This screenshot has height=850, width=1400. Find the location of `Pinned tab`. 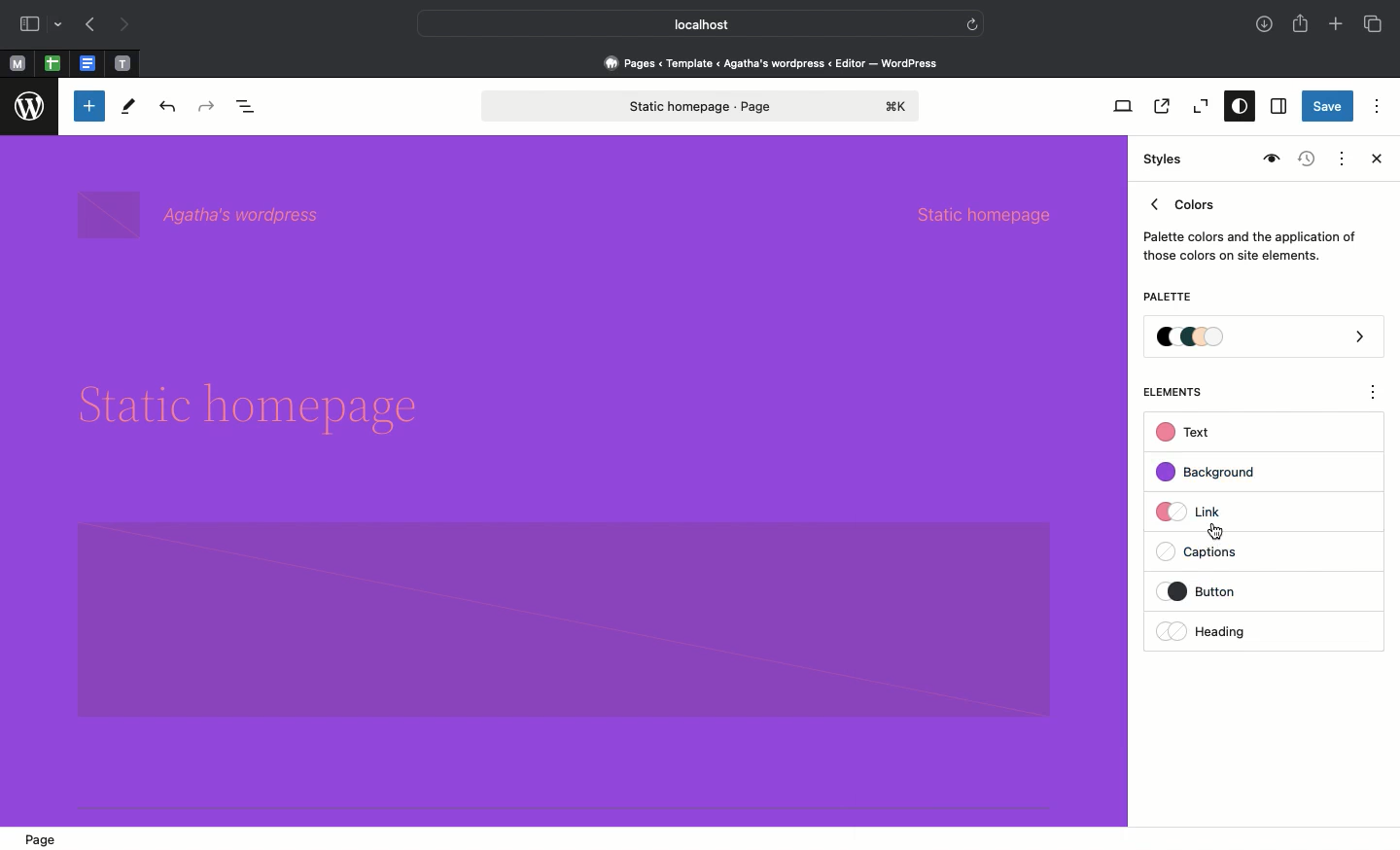

Pinned tab is located at coordinates (17, 64).